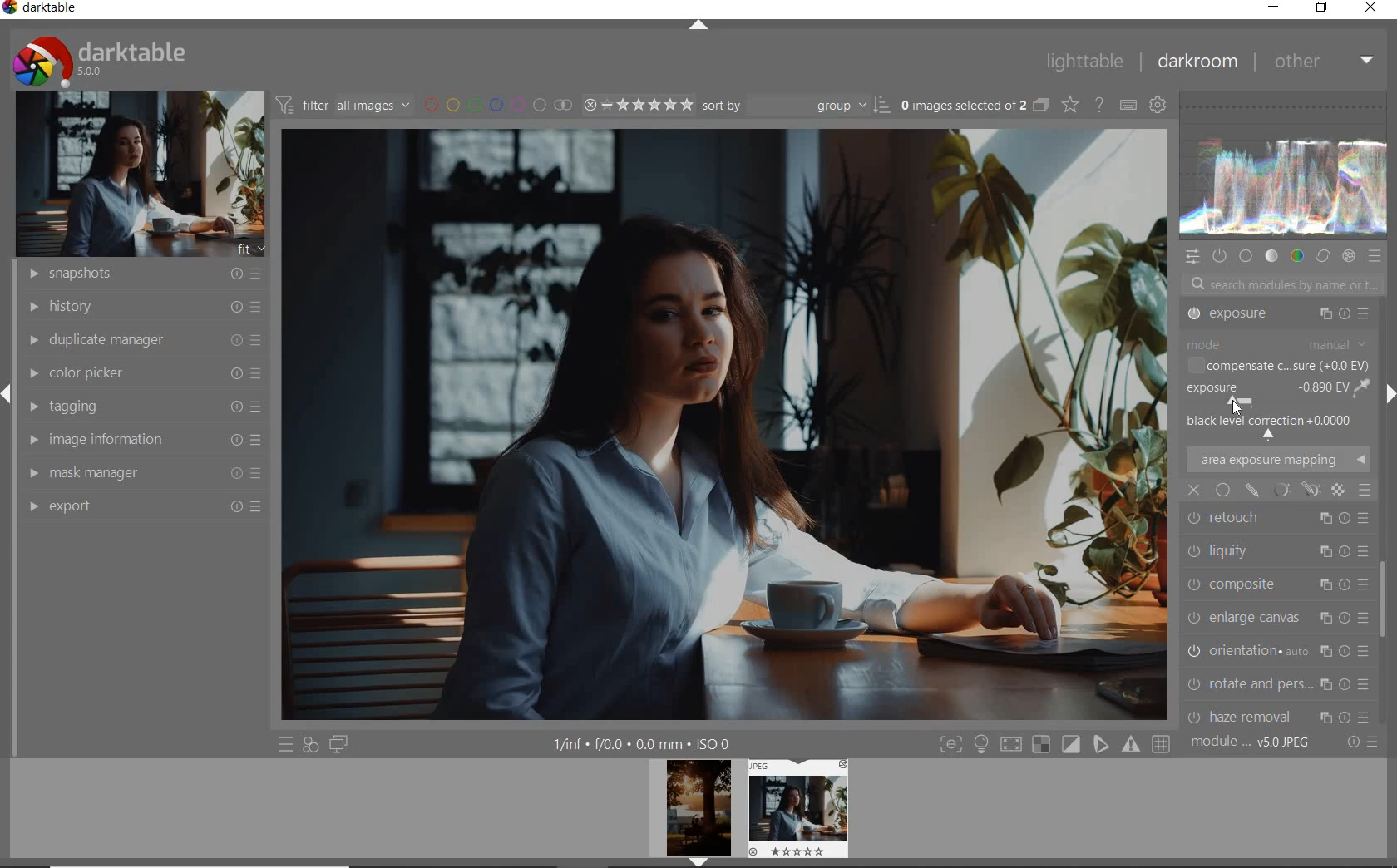  I want to click on LENS CORRECTION, so click(1278, 679).